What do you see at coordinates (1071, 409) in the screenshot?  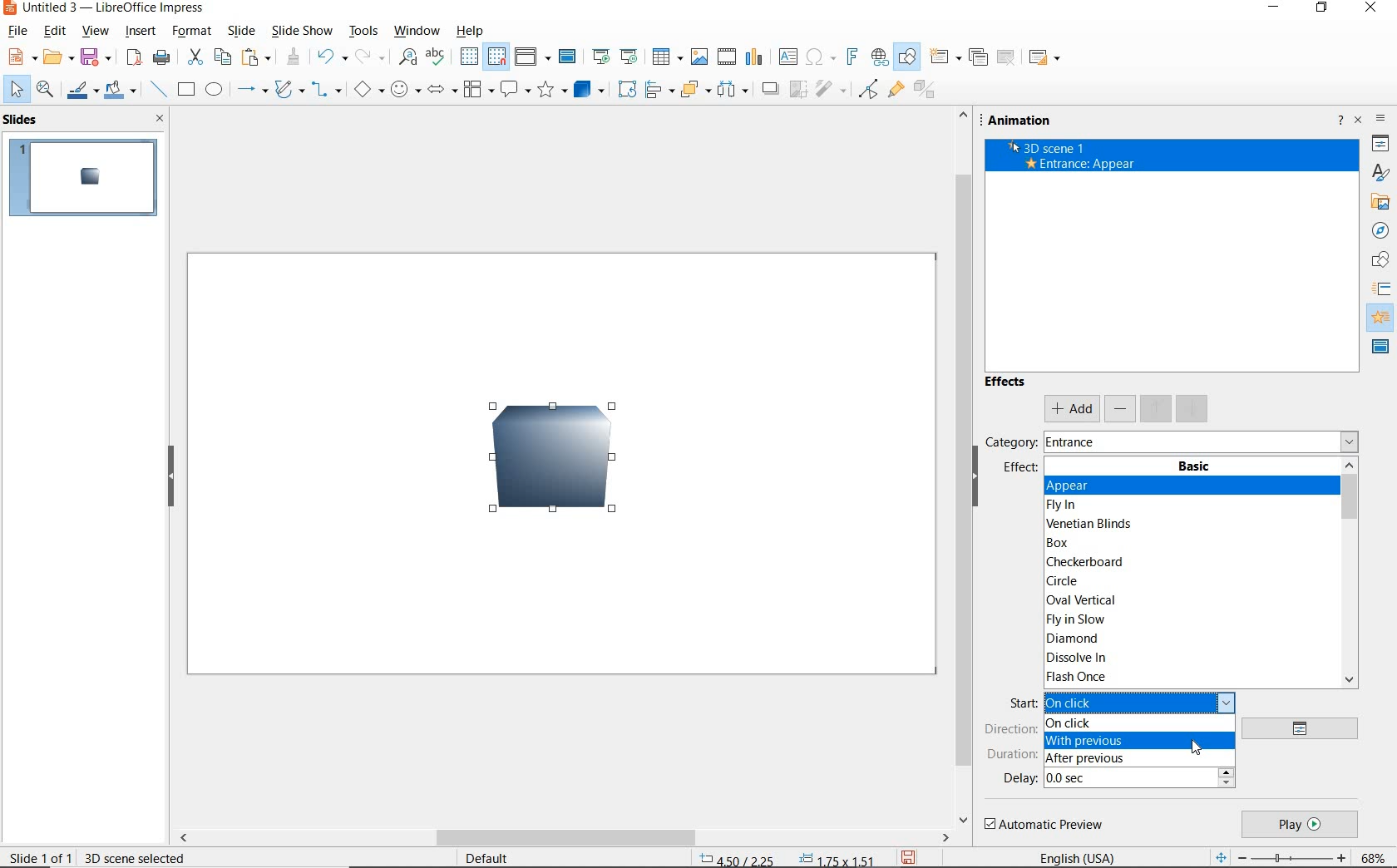 I see `add` at bounding box center [1071, 409].